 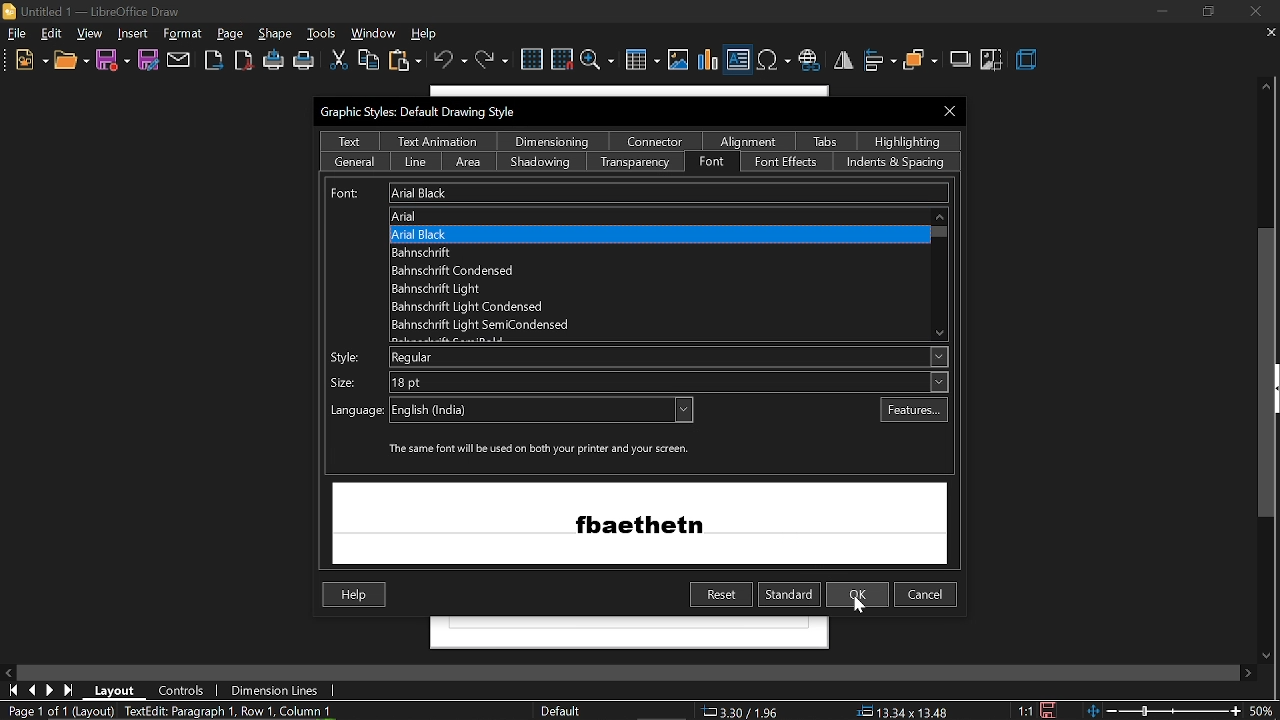 I want to click on print directly, so click(x=274, y=59).